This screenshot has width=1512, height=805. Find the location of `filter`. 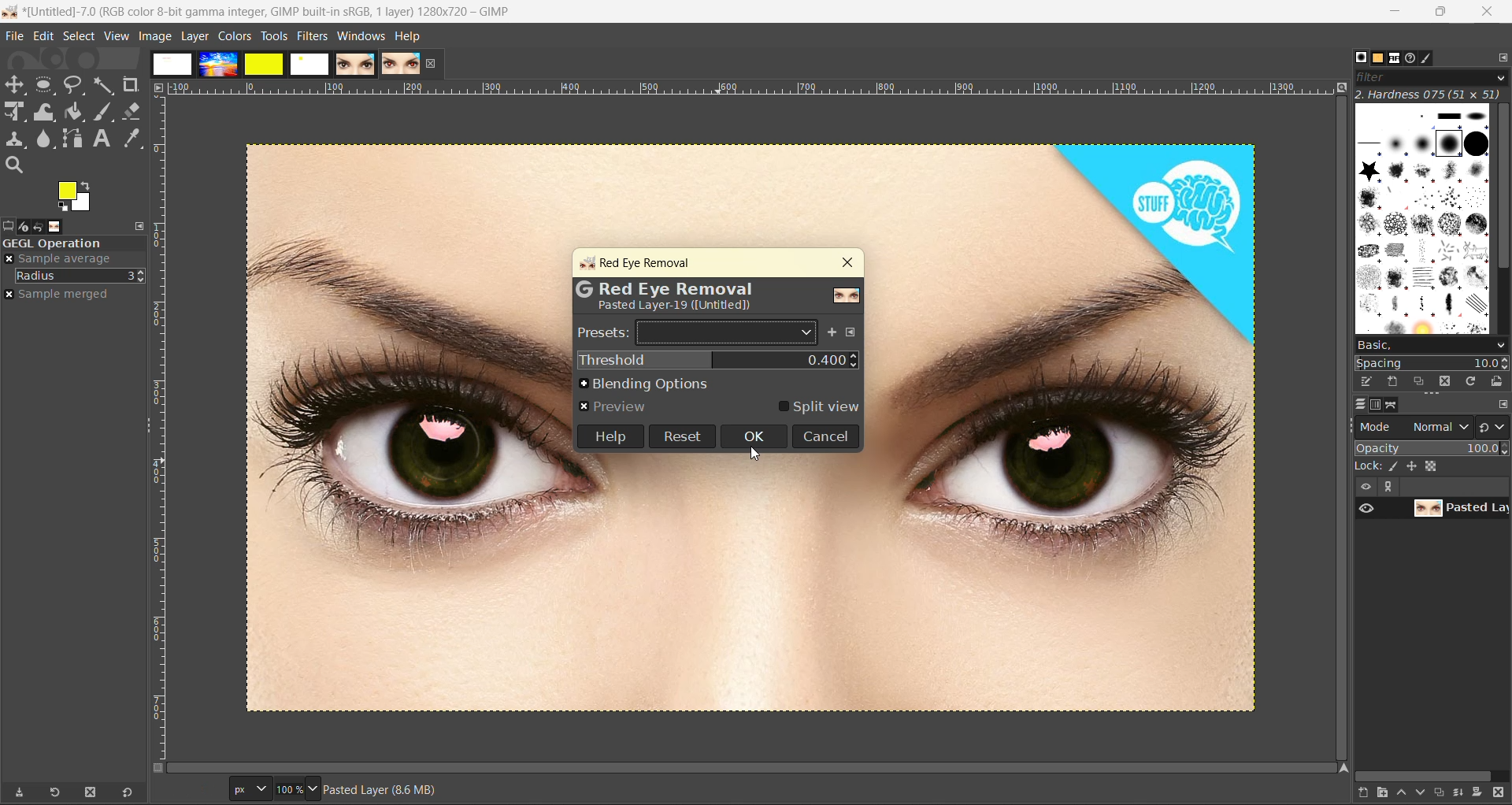

filter is located at coordinates (1432, 78).